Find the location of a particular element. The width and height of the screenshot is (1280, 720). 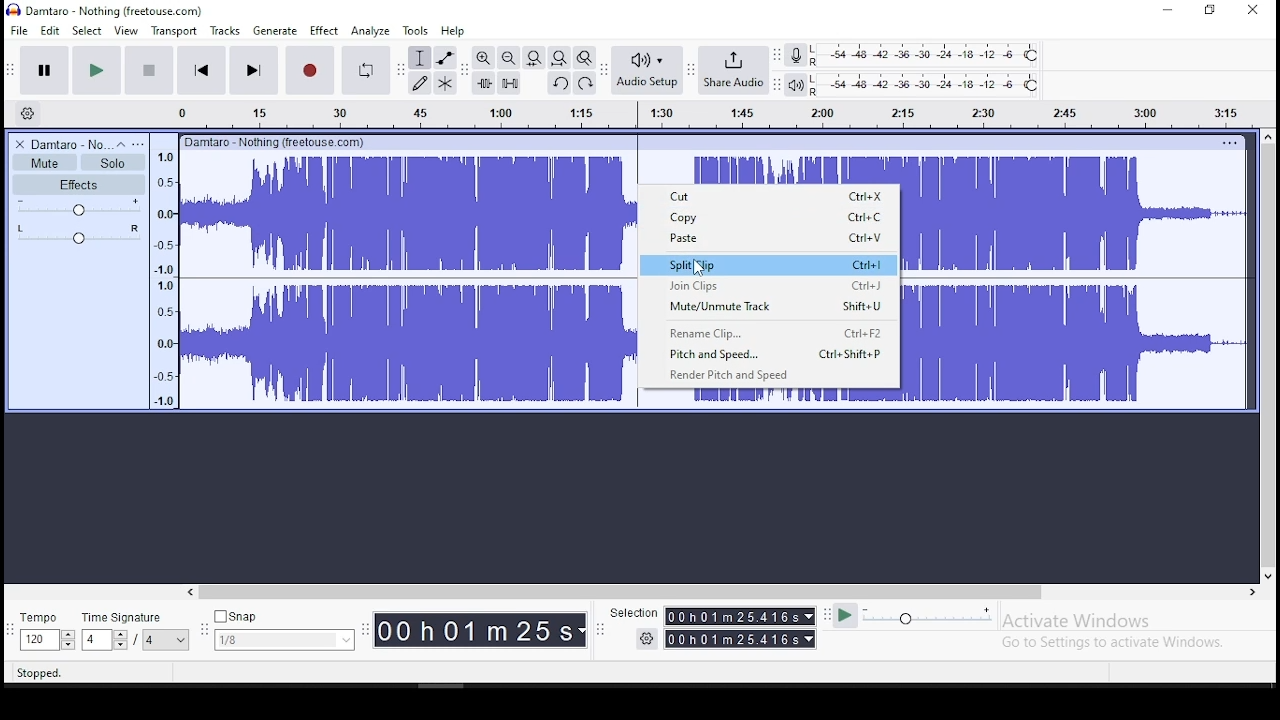

zoom in is located at coordinates (483, 57).